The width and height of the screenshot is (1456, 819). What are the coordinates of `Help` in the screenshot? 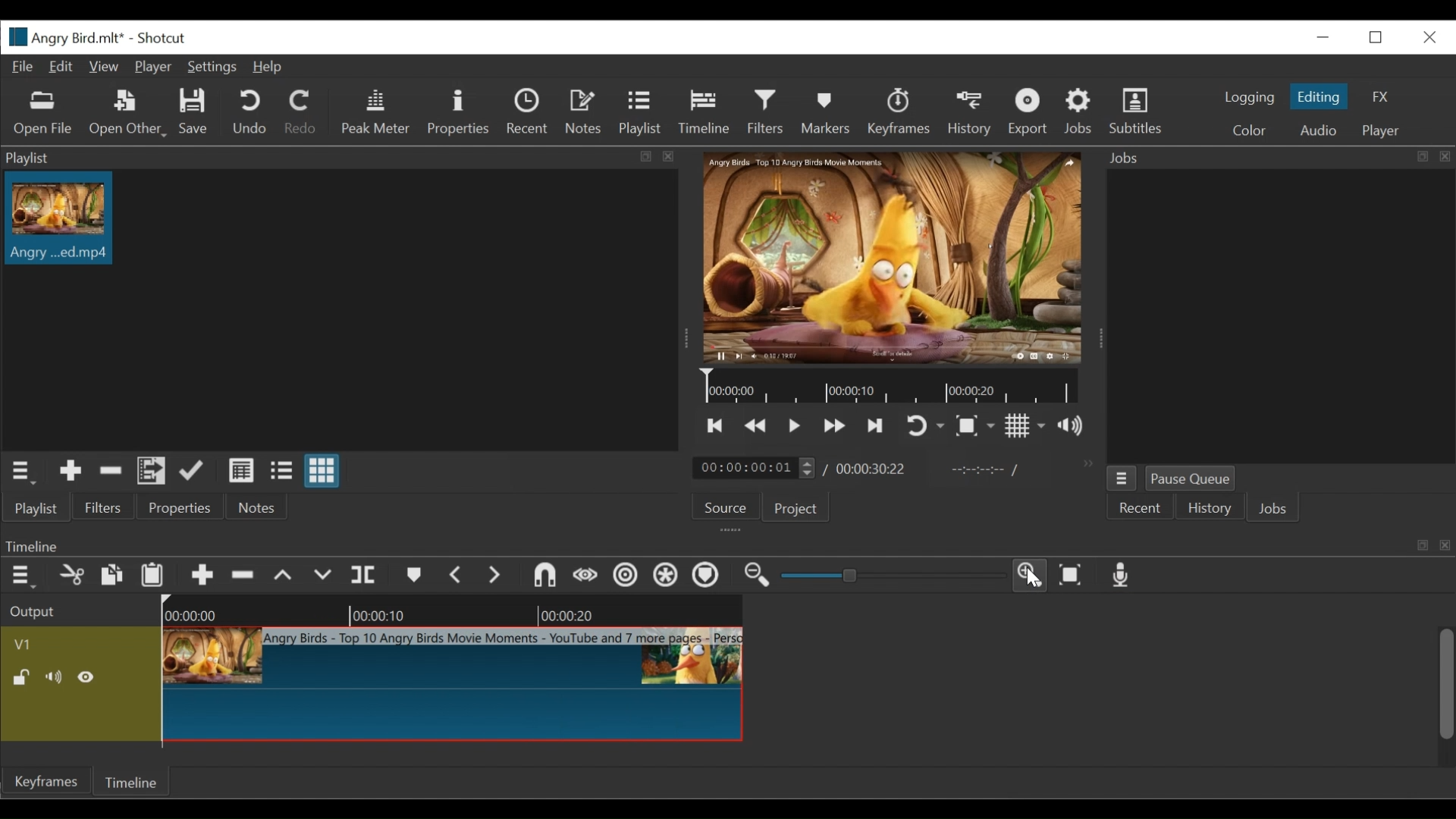 It's located at (269, 67).